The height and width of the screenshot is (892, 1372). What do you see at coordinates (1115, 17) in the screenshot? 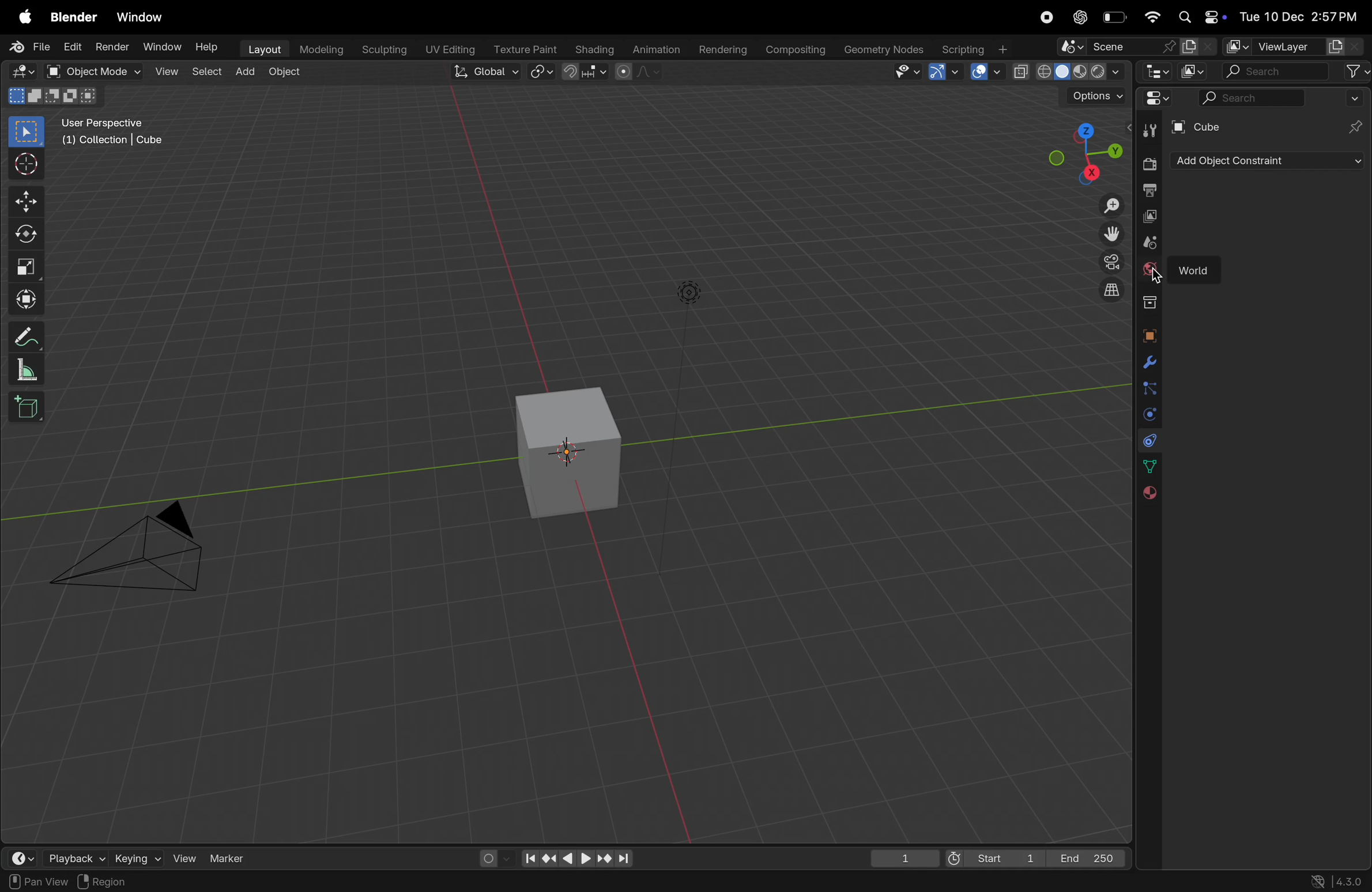
I see `battery` at bounding box center [1115, 17].